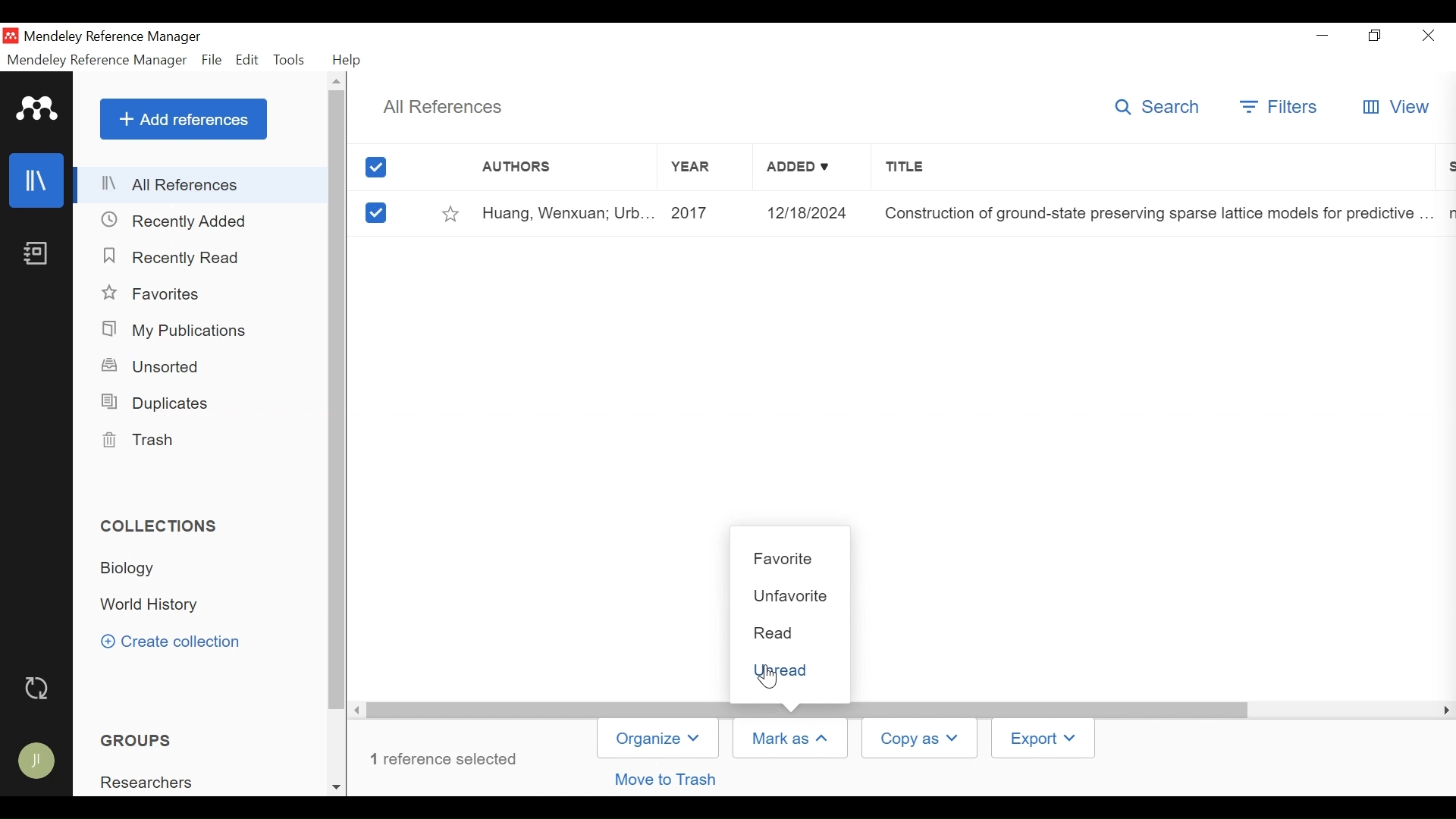  Describe the element at coordinates (138, 739) in the screenshot. I see `Groups` at that location.